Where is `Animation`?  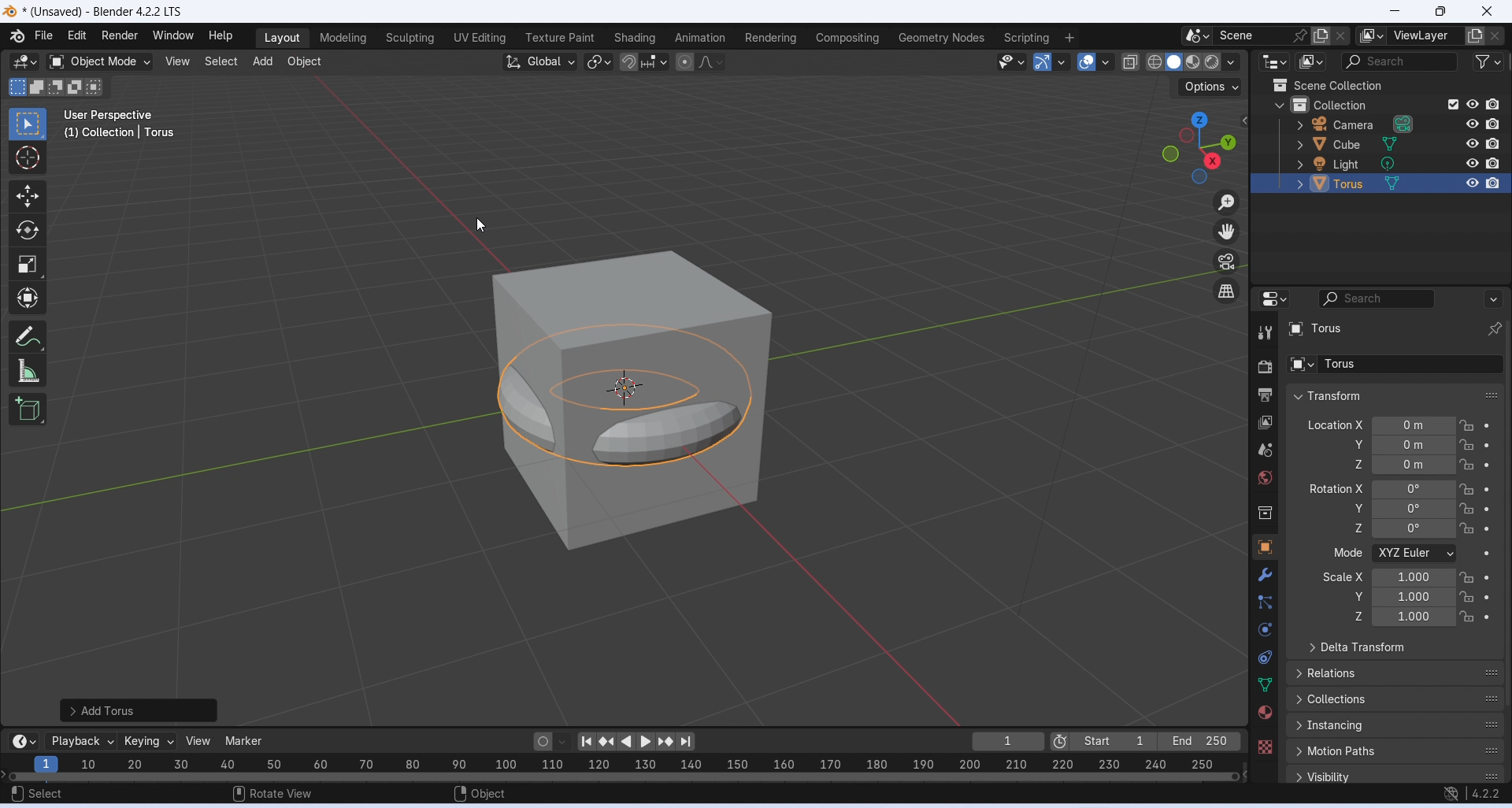 Animation is located at coordinates (699, 38).